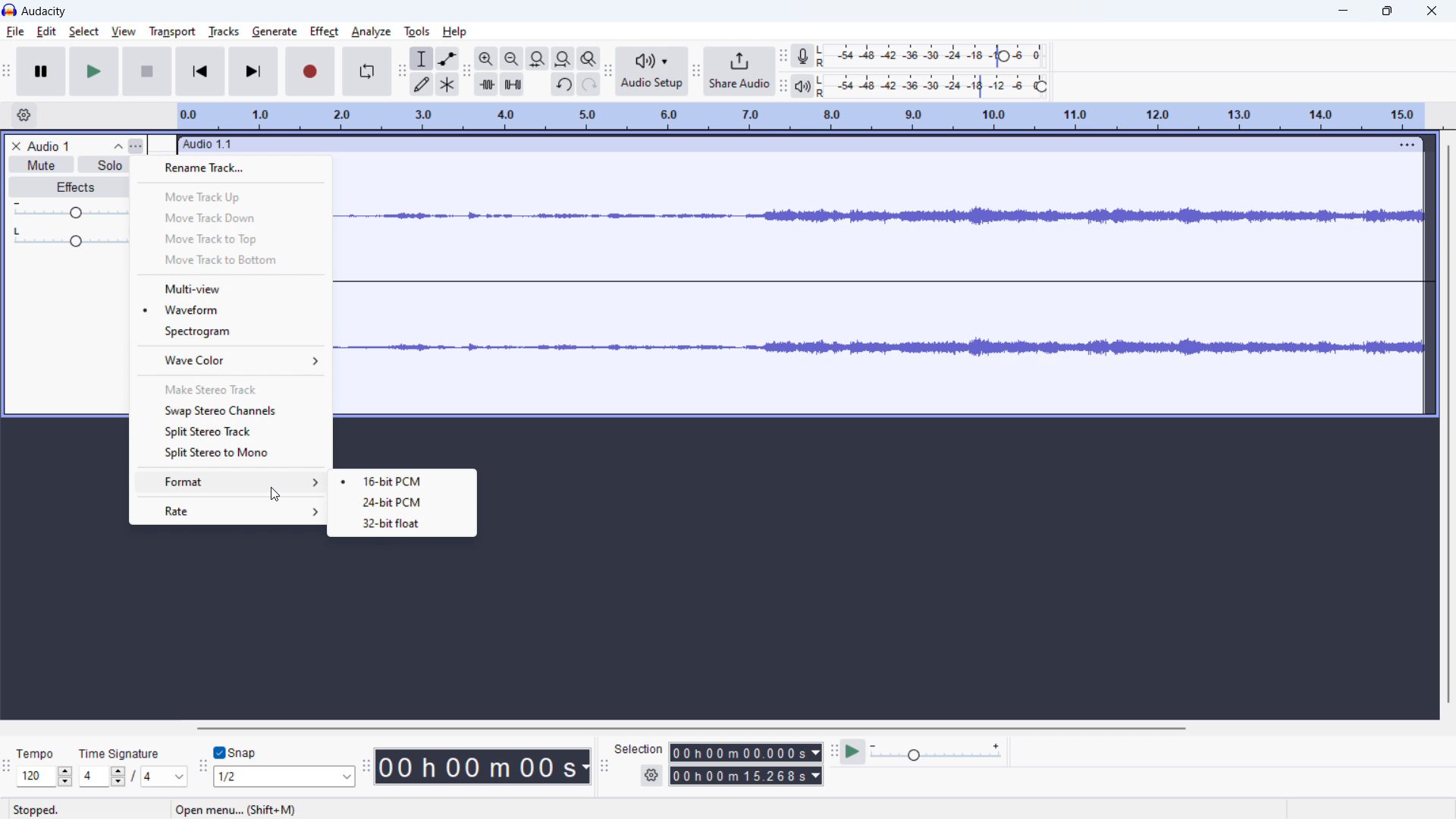  Describe the element at coordinates (511, 58) in the screenshot. I see `zoom out` at that location.